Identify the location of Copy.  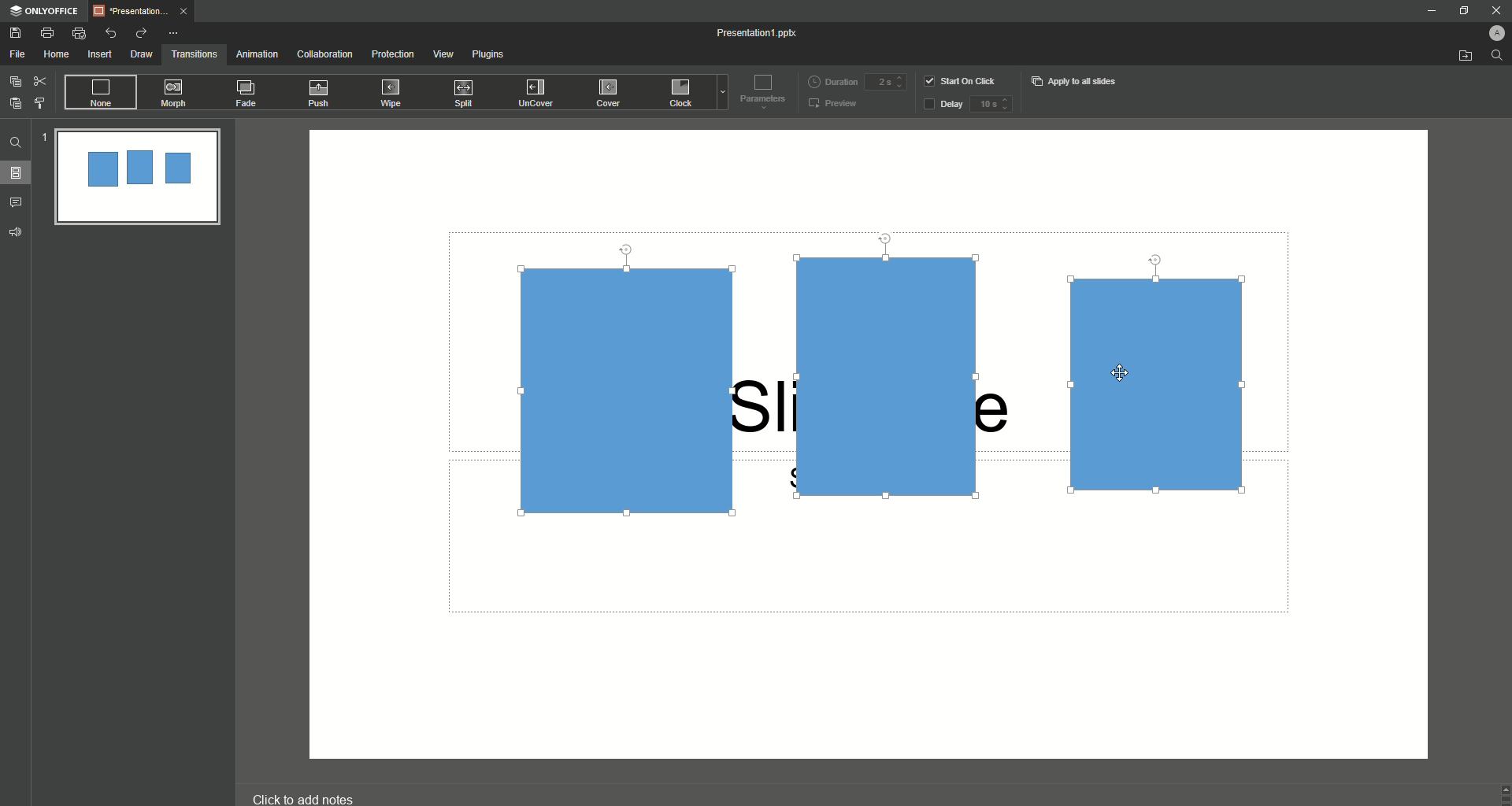
(15, 81).